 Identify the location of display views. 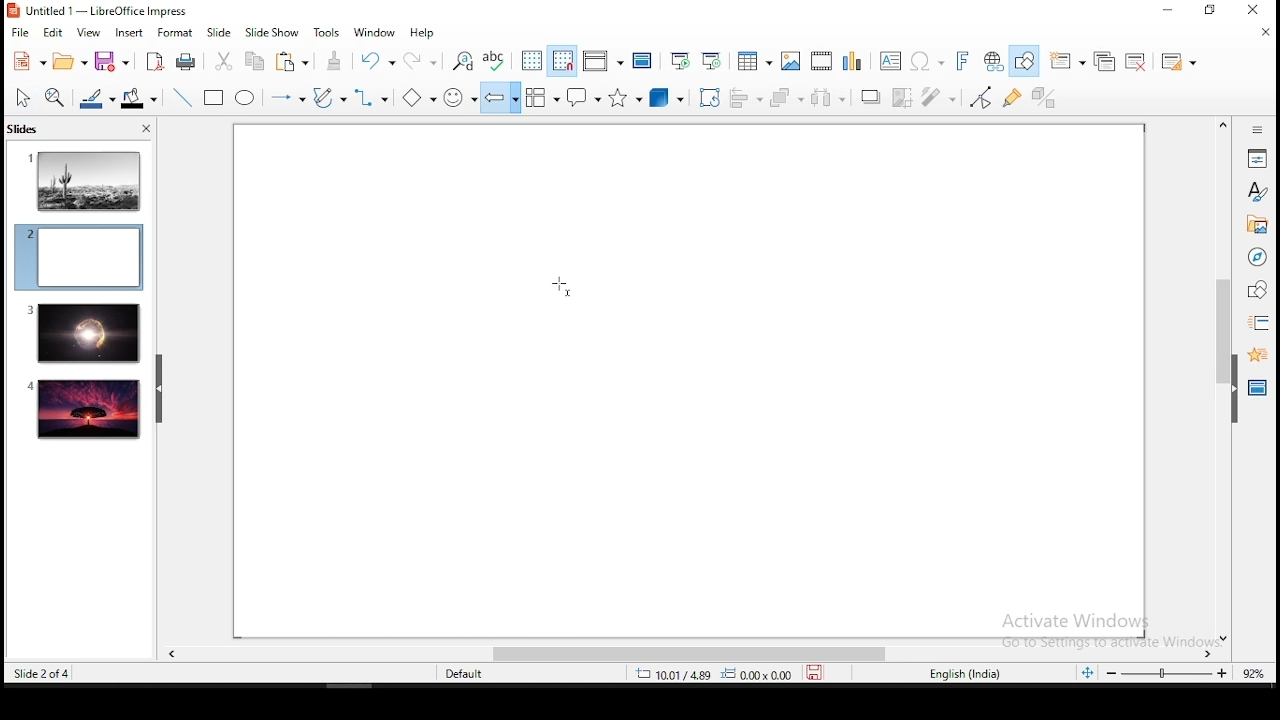
(602, 61).